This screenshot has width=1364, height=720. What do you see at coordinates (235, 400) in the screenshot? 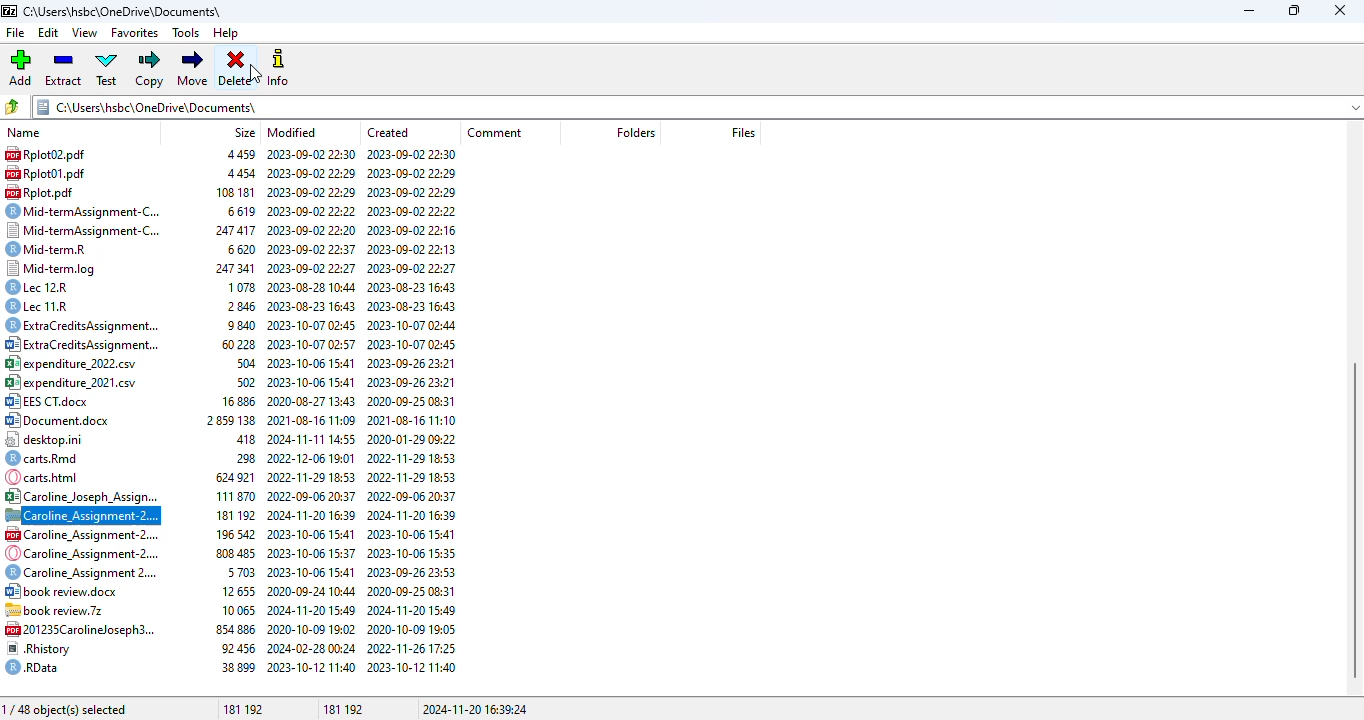
I see `16 886` at bounding box center [235, 400].